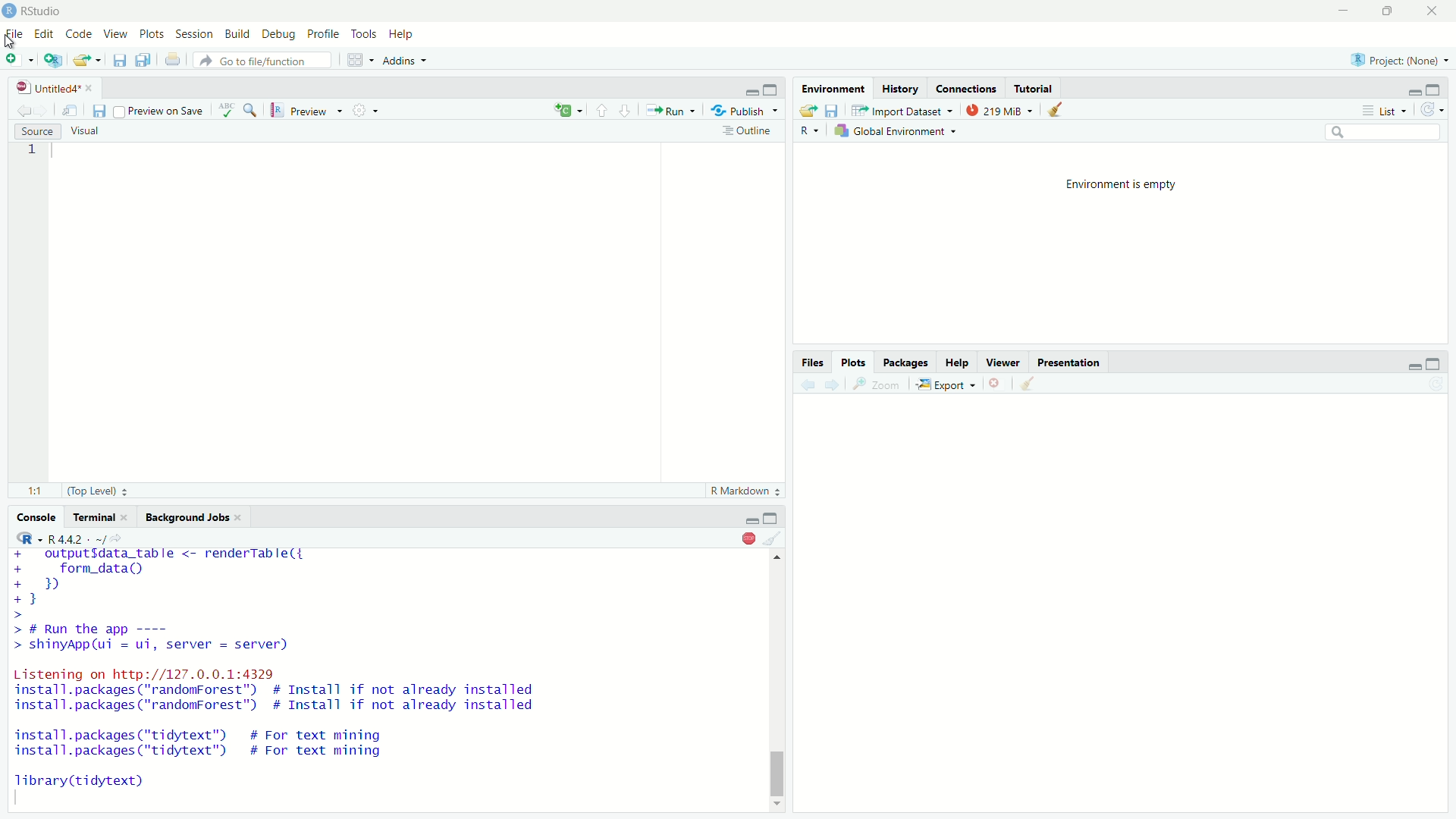 This screenshot has width=1456, height=819. What do you see at coordinates (88, 59) in the screenshot?
I see `open an existing file` at bounding box center [88, 59].